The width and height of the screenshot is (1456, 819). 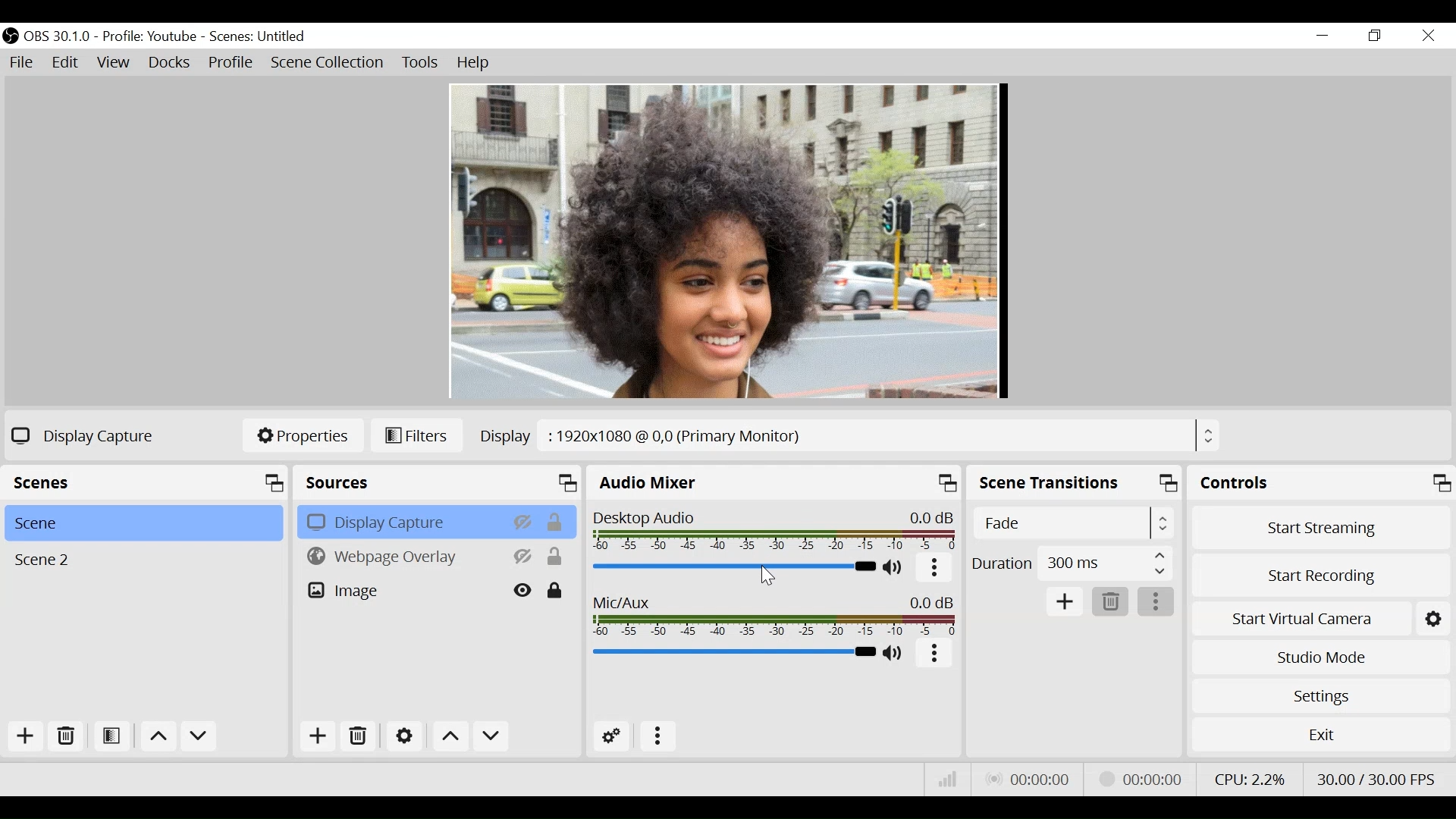 What do you see at coordinates (1073, 522) in the screenshot?
I see `Select Scene Transitions` at bounding box center [1073, 522].